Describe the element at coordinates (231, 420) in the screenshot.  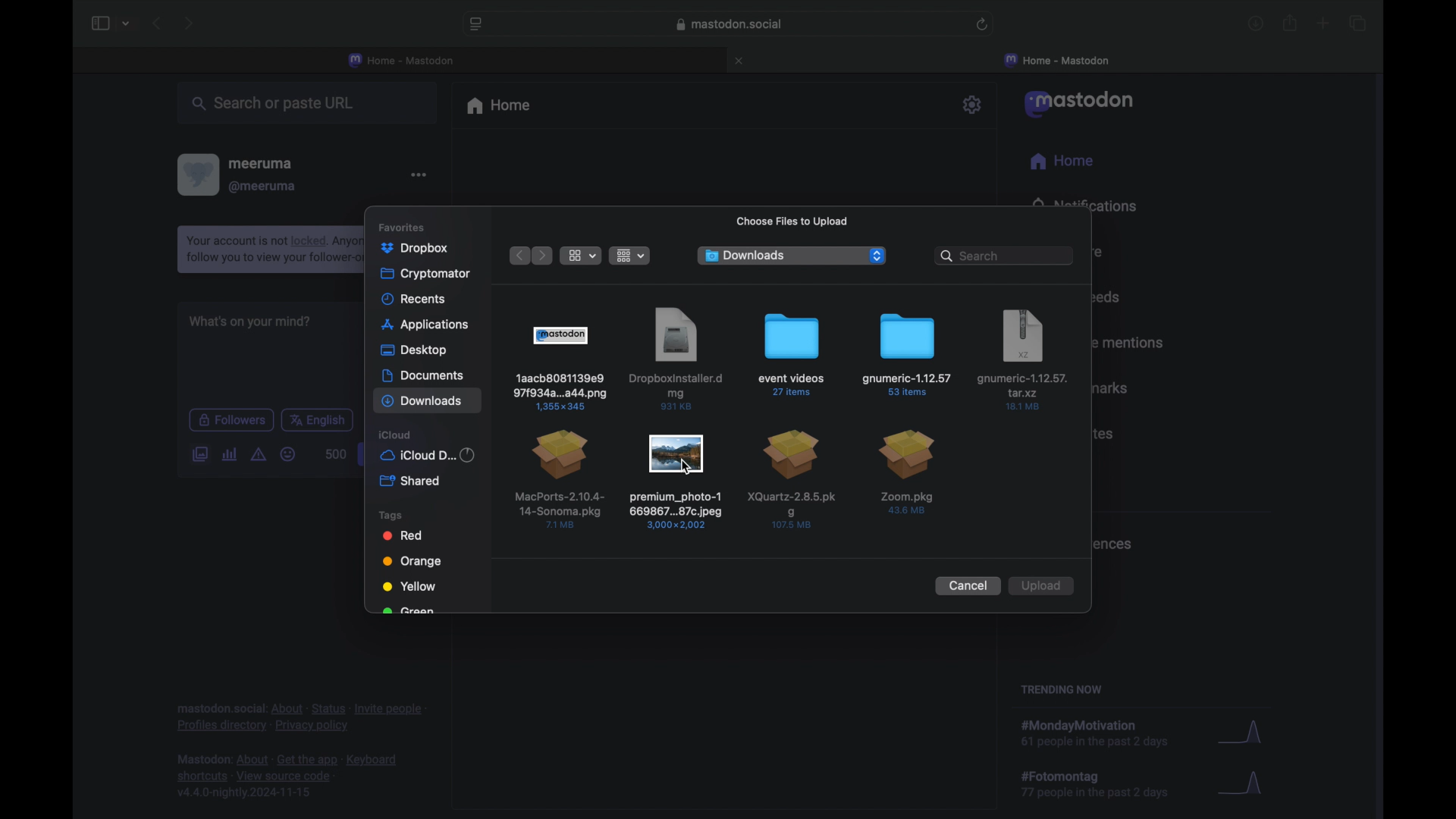
I see `followers` at that location.